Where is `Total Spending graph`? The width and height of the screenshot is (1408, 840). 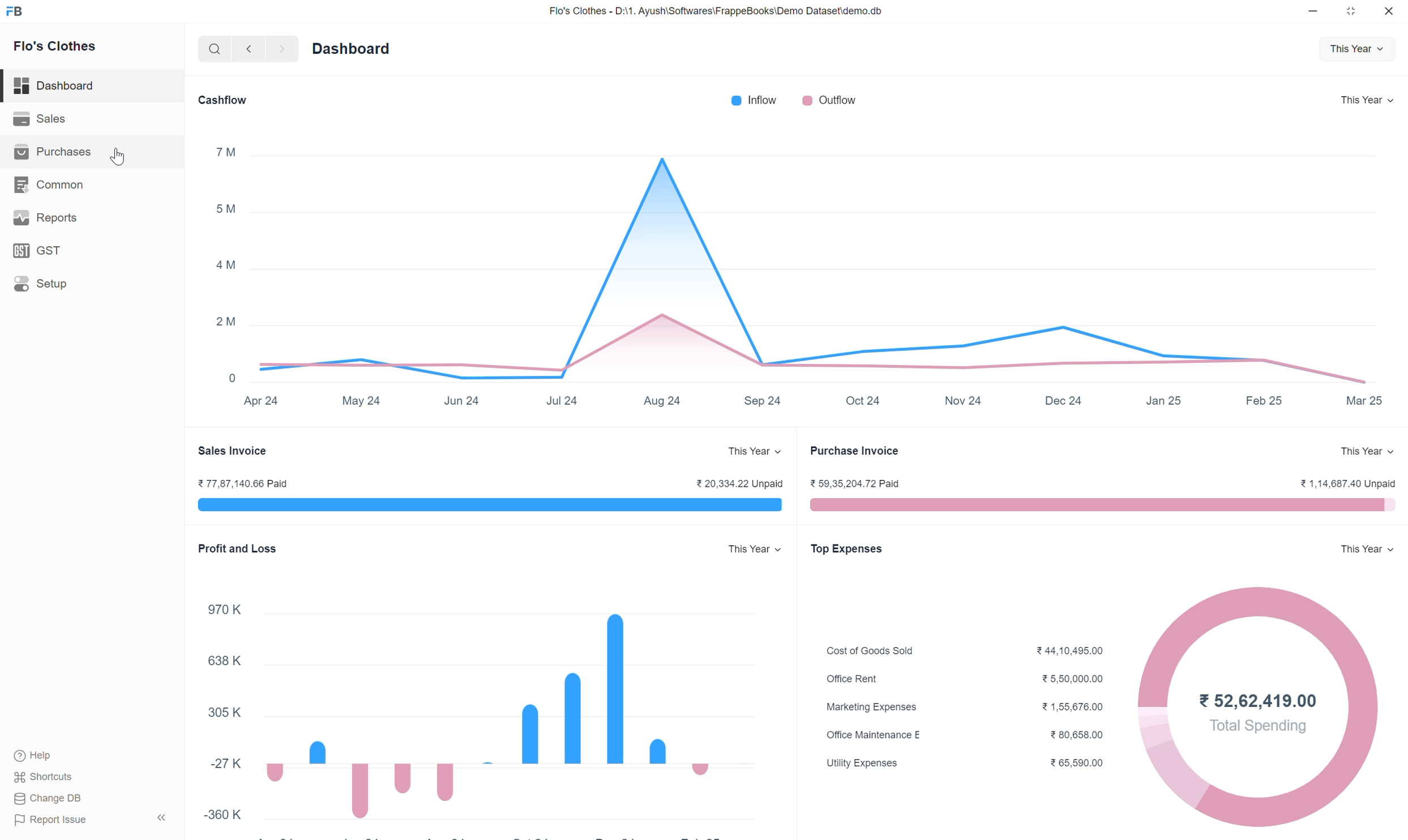
Total Spending graph is located at coordinates (1259, 636).